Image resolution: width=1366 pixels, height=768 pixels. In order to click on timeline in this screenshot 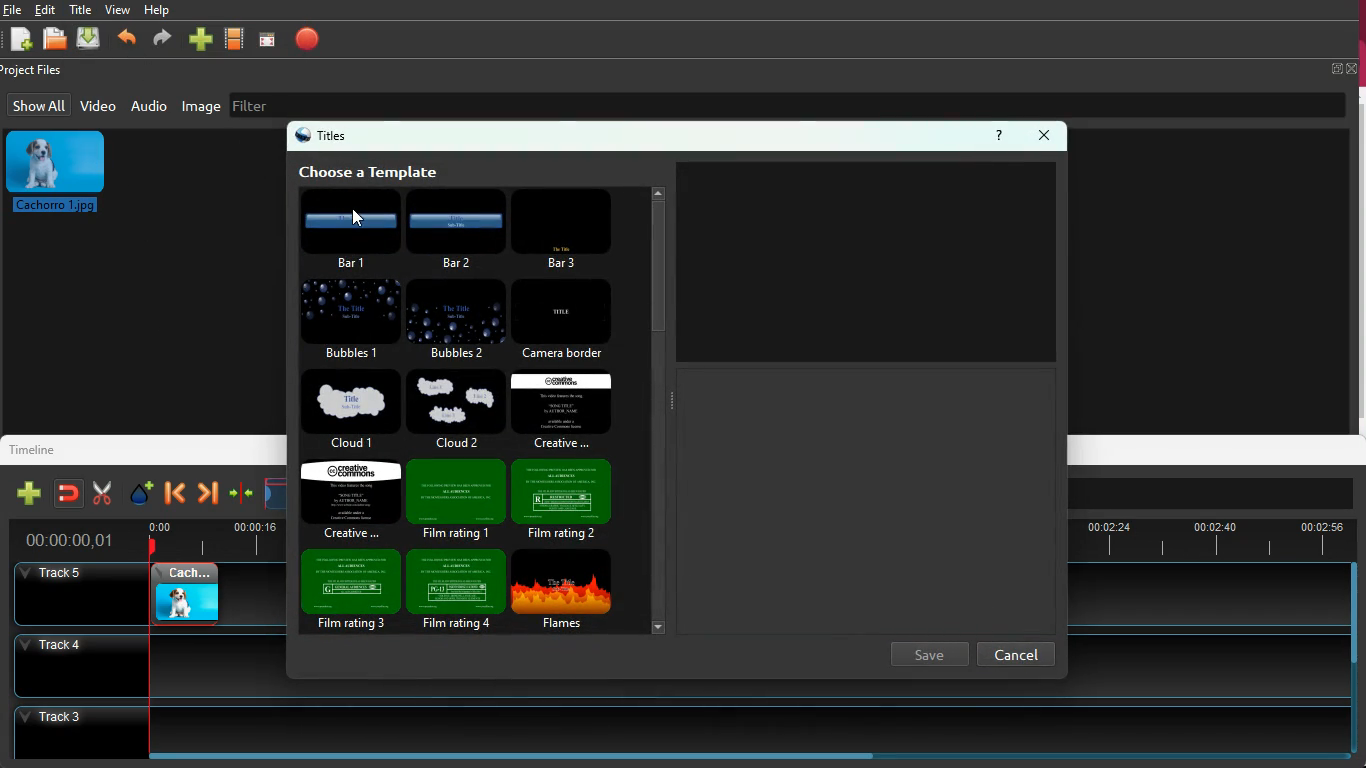, I will do `click(41, 448)`.